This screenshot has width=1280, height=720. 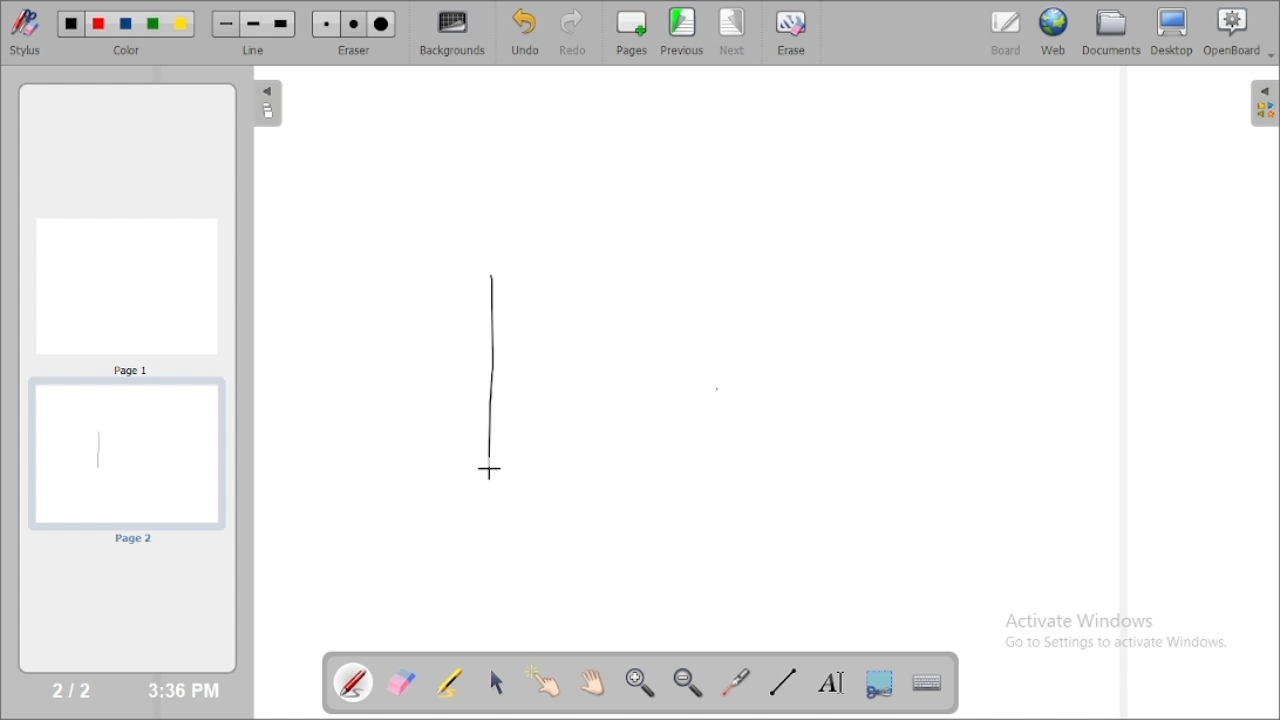 What do you see at coordinates (126, 25) in the screenshot?
I see `Color 3` at bounding box center [126, 25].